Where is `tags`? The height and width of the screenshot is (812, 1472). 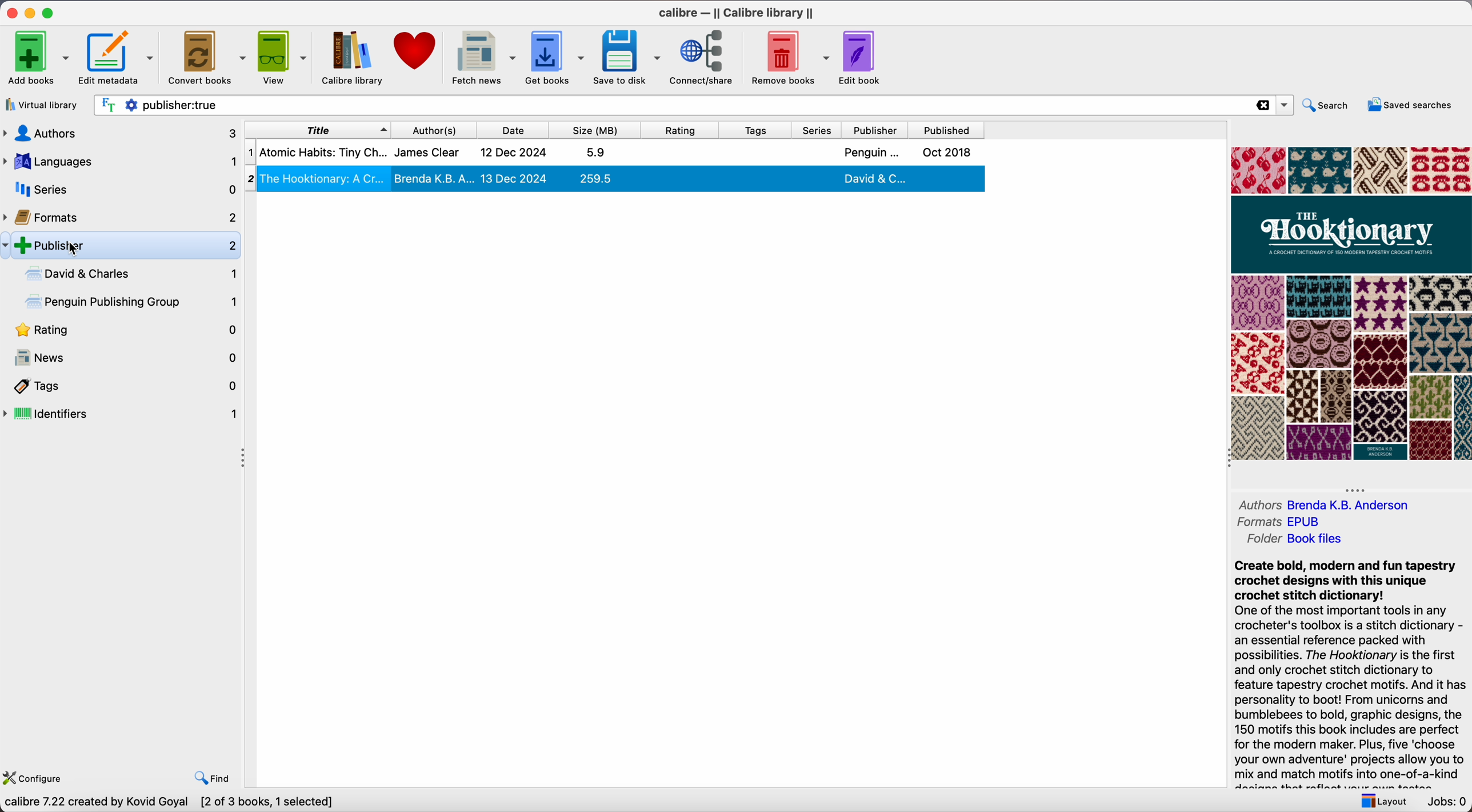 tags is located at coordinates (122, 386).